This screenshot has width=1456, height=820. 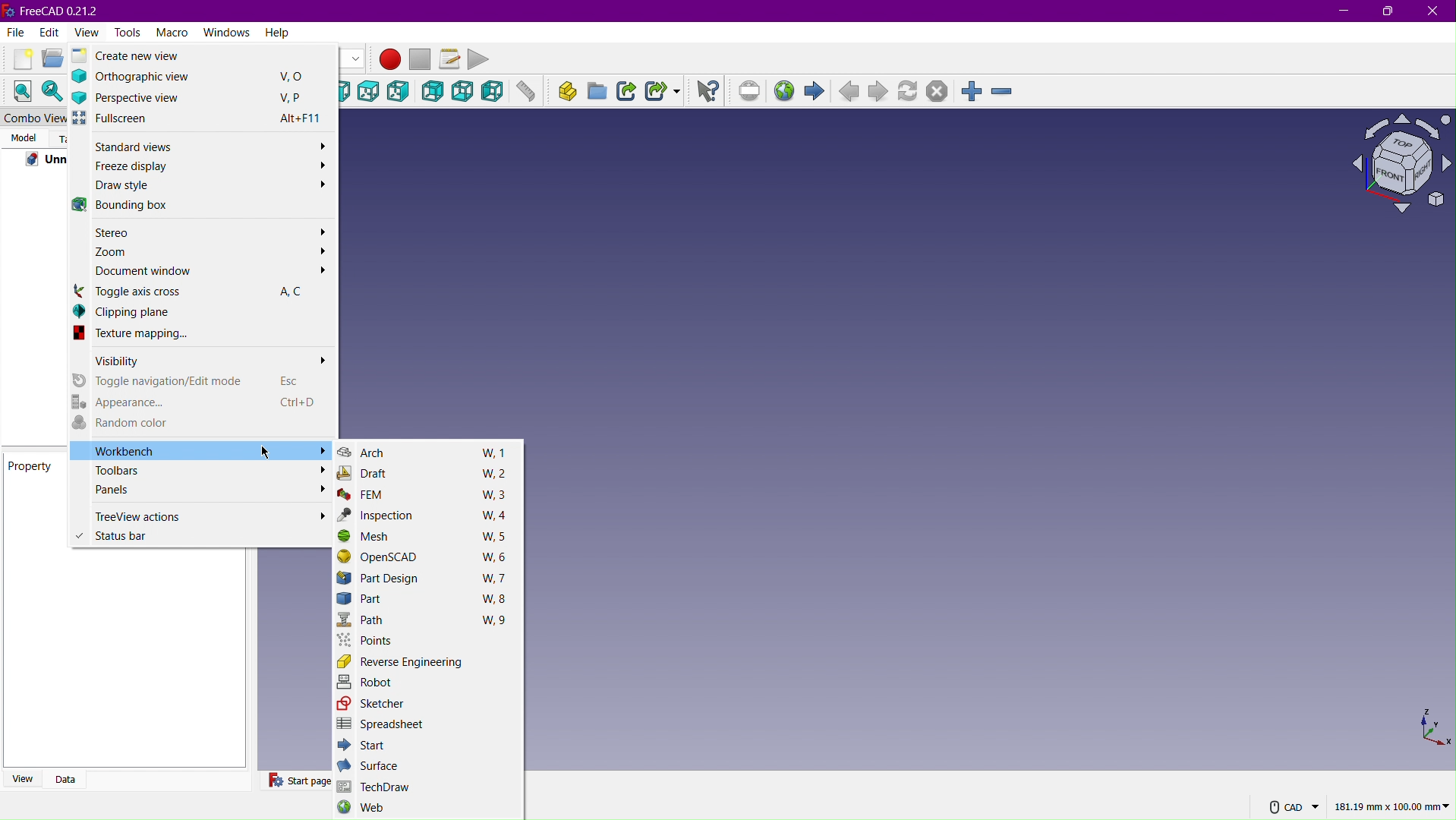 What do you see at coordinates (1281, 803) in the screenshot?
I see `CAD` at bounding box center [1281, 803].